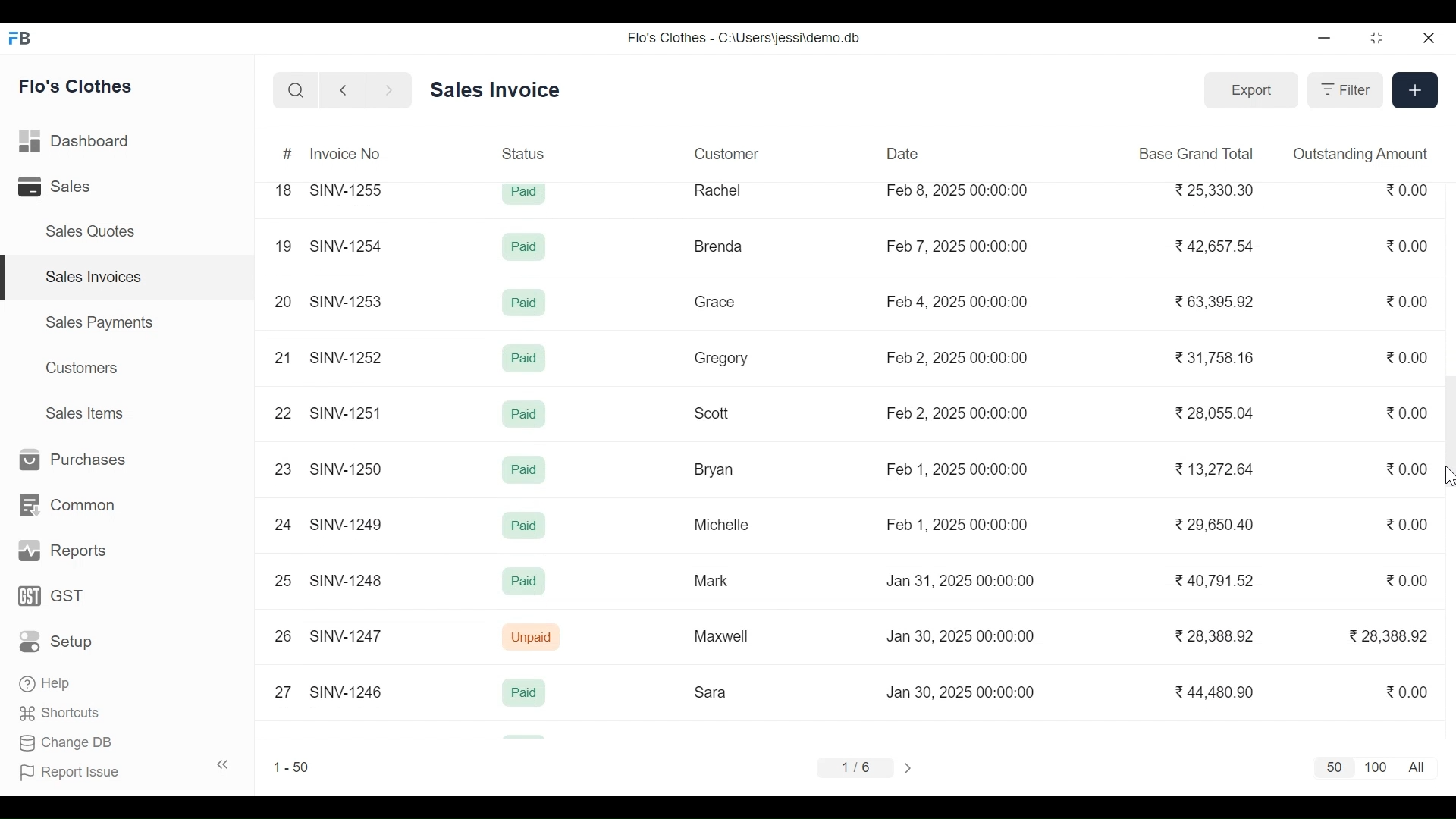 This screenshot has height=819, width=1456. What do you see at coordinates (283, 247) in the screenshot?
I see `19` at bounding box center [283, 247].